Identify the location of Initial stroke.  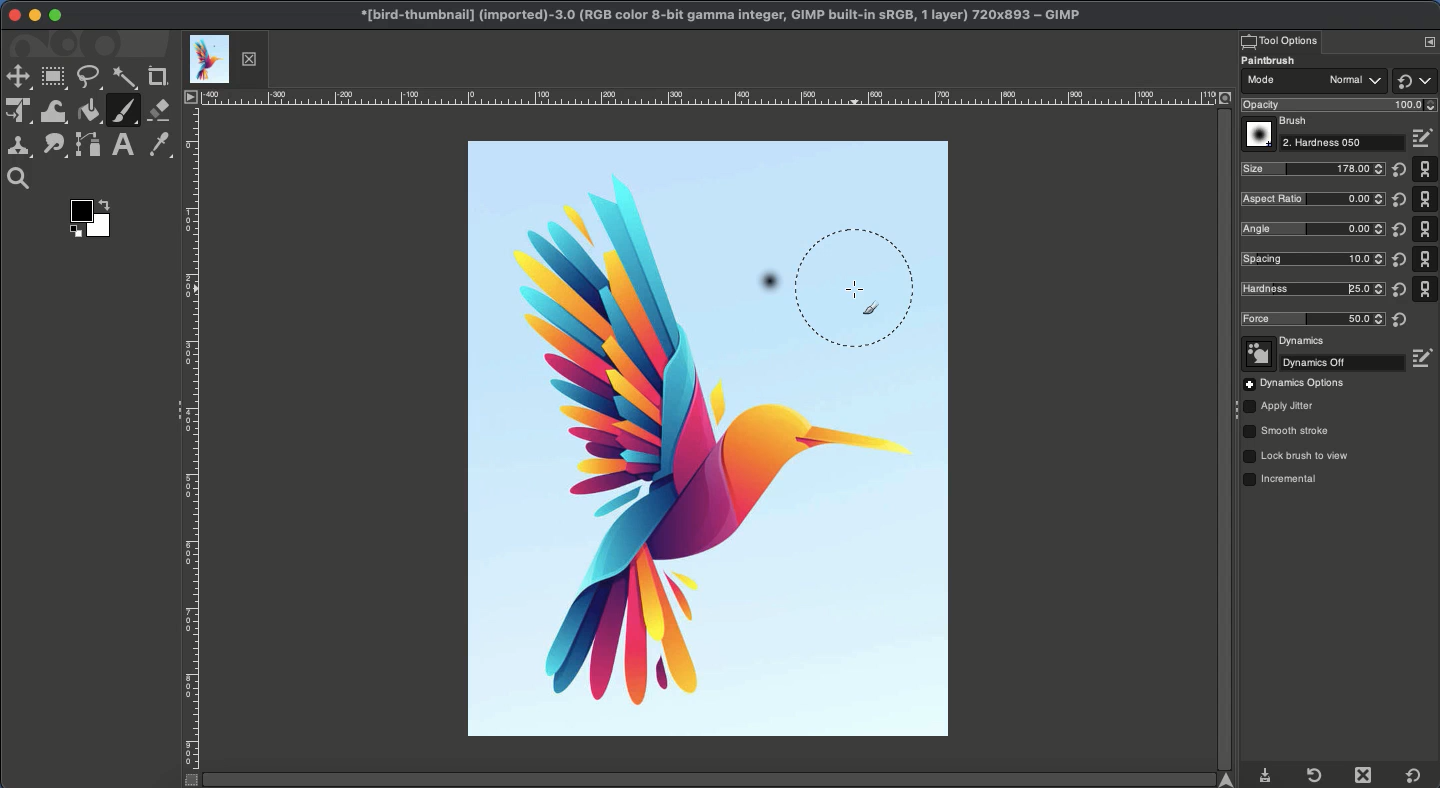
(768, 286).